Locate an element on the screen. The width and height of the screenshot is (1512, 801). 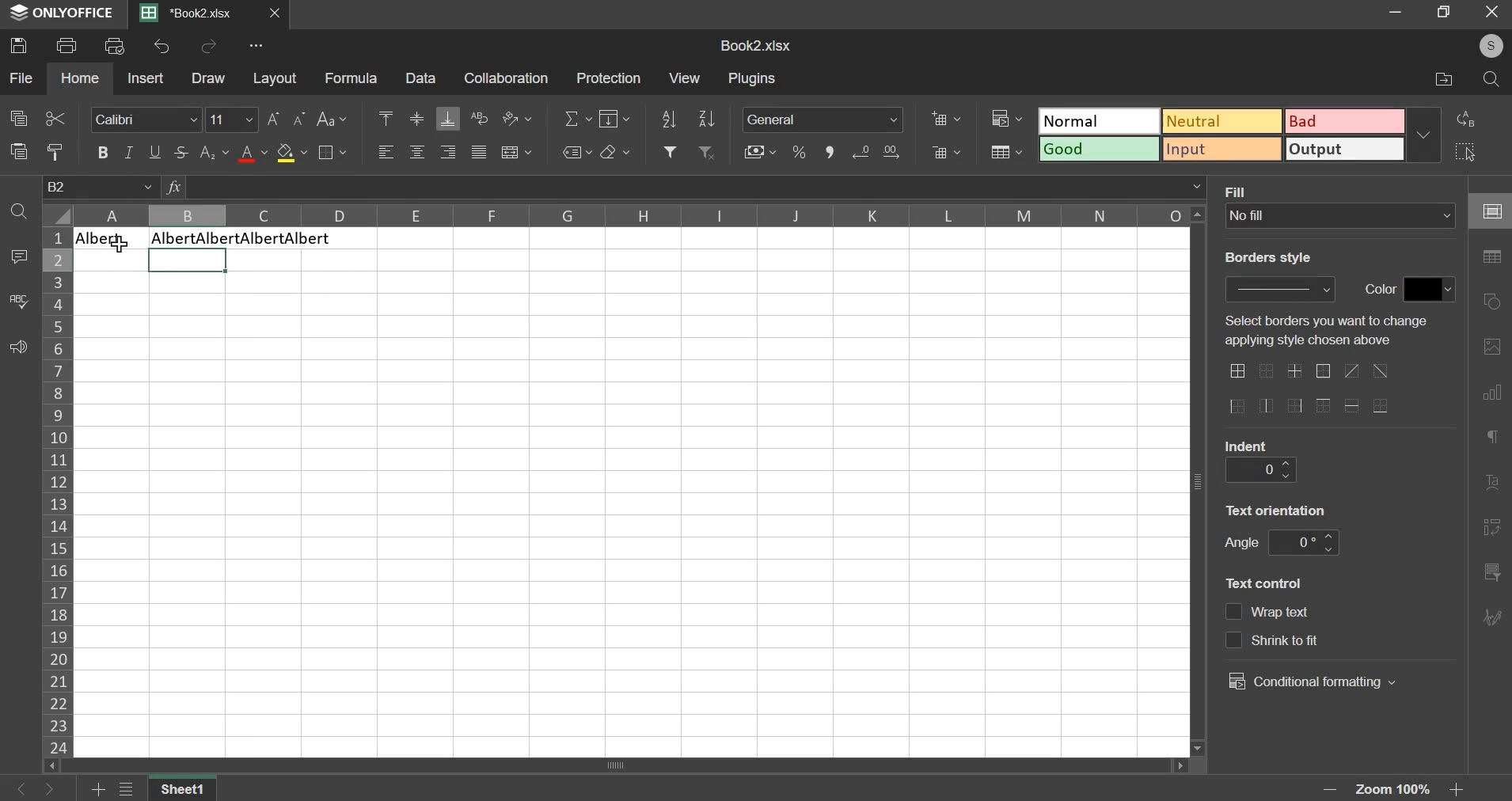
vertical scroll bar is located at coordinates (1202, 480).